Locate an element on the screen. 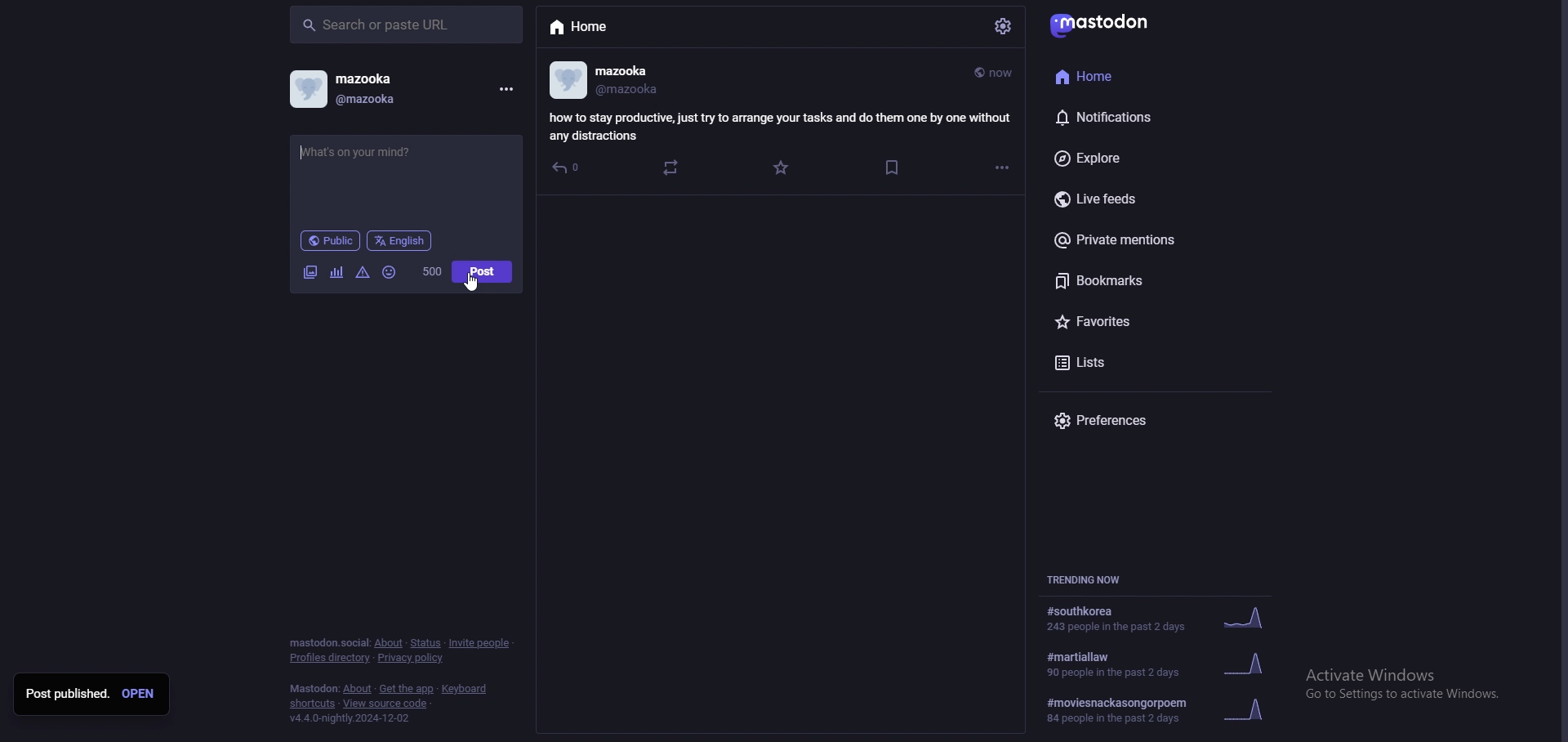 This screenshot has width=1568, height=742. reply is located at coordinates (571, 169).